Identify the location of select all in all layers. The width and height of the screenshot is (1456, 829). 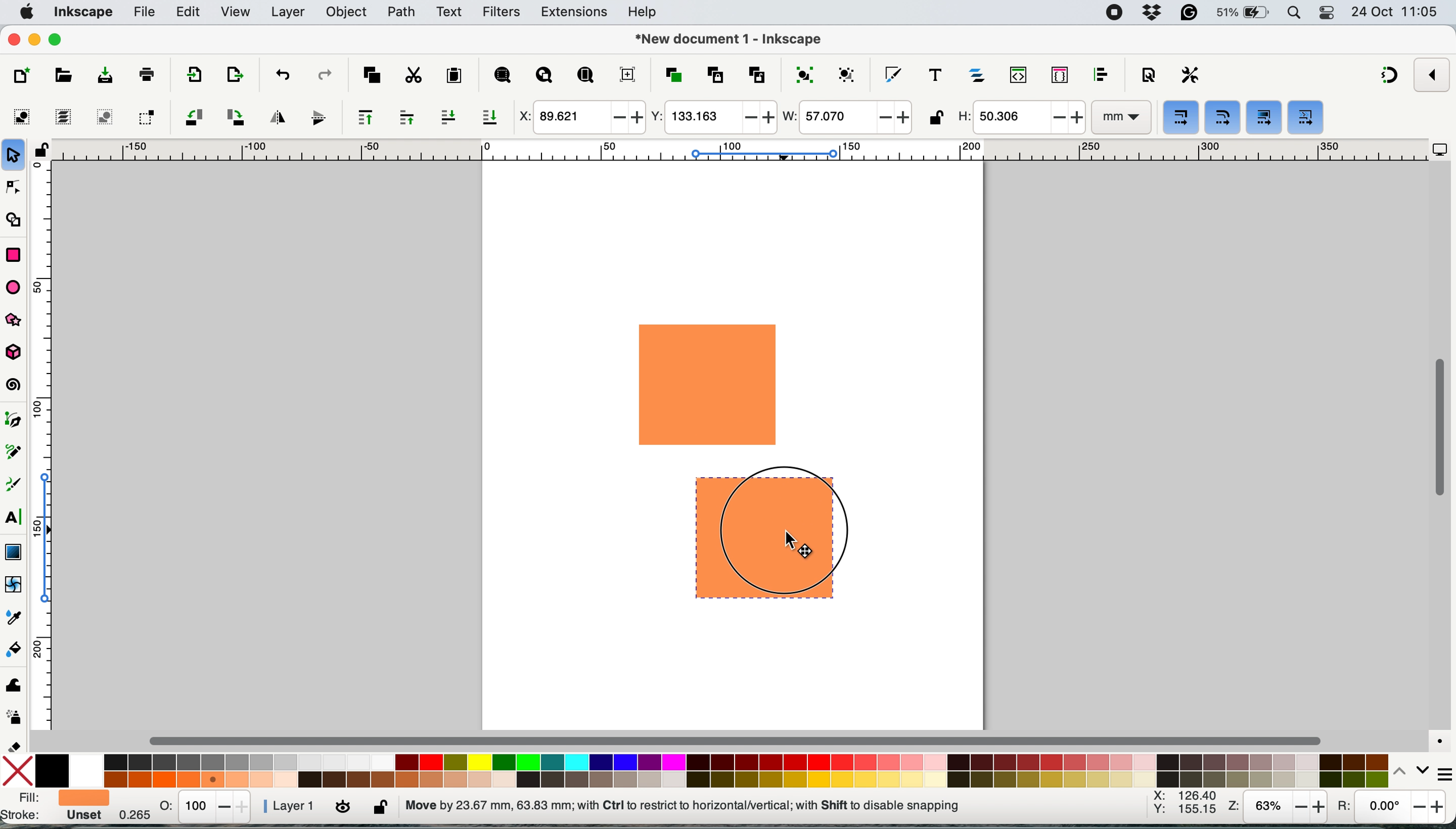
(64, 117).